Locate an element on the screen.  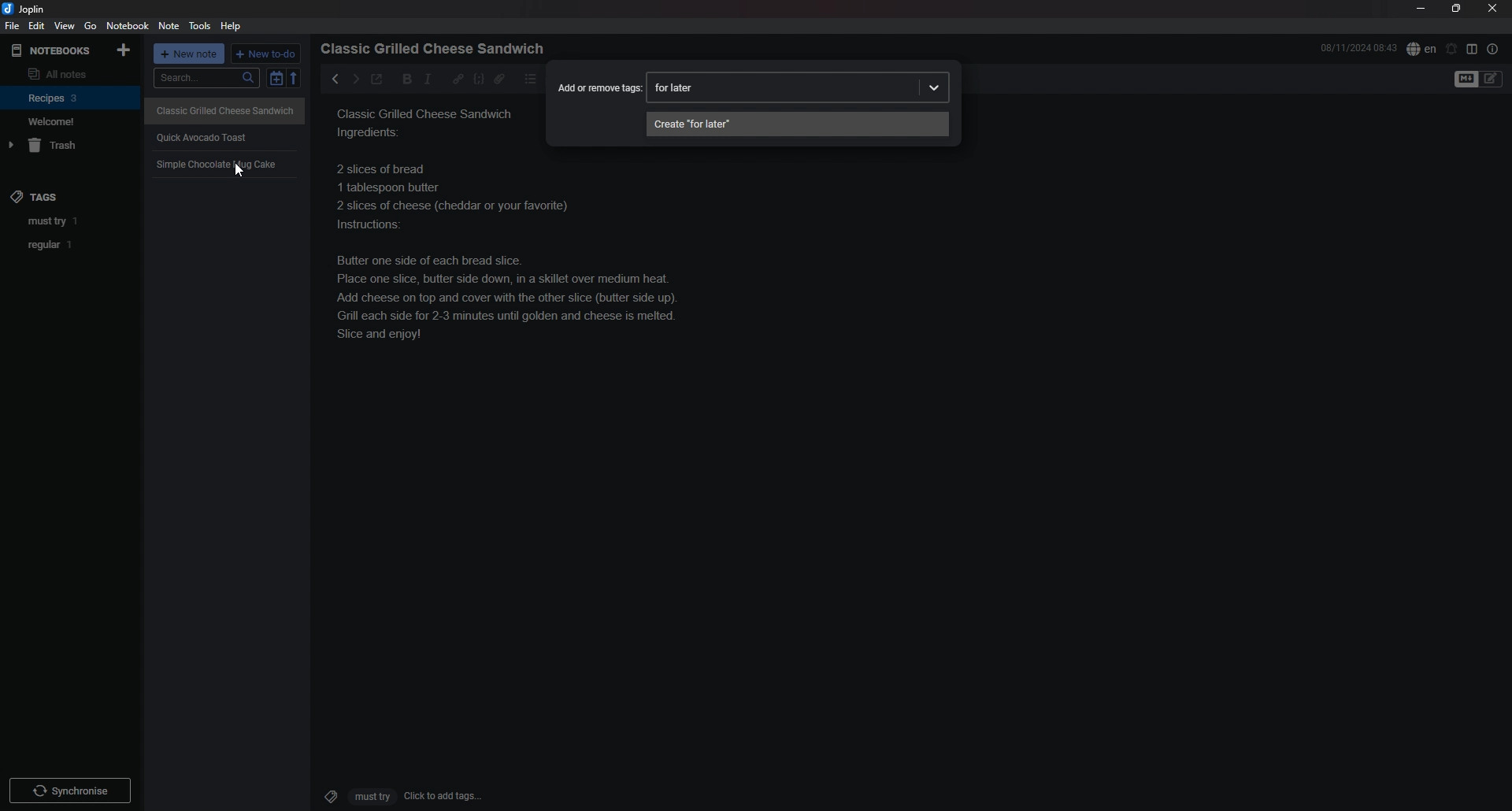
tag is located at coordinates (72, 222).